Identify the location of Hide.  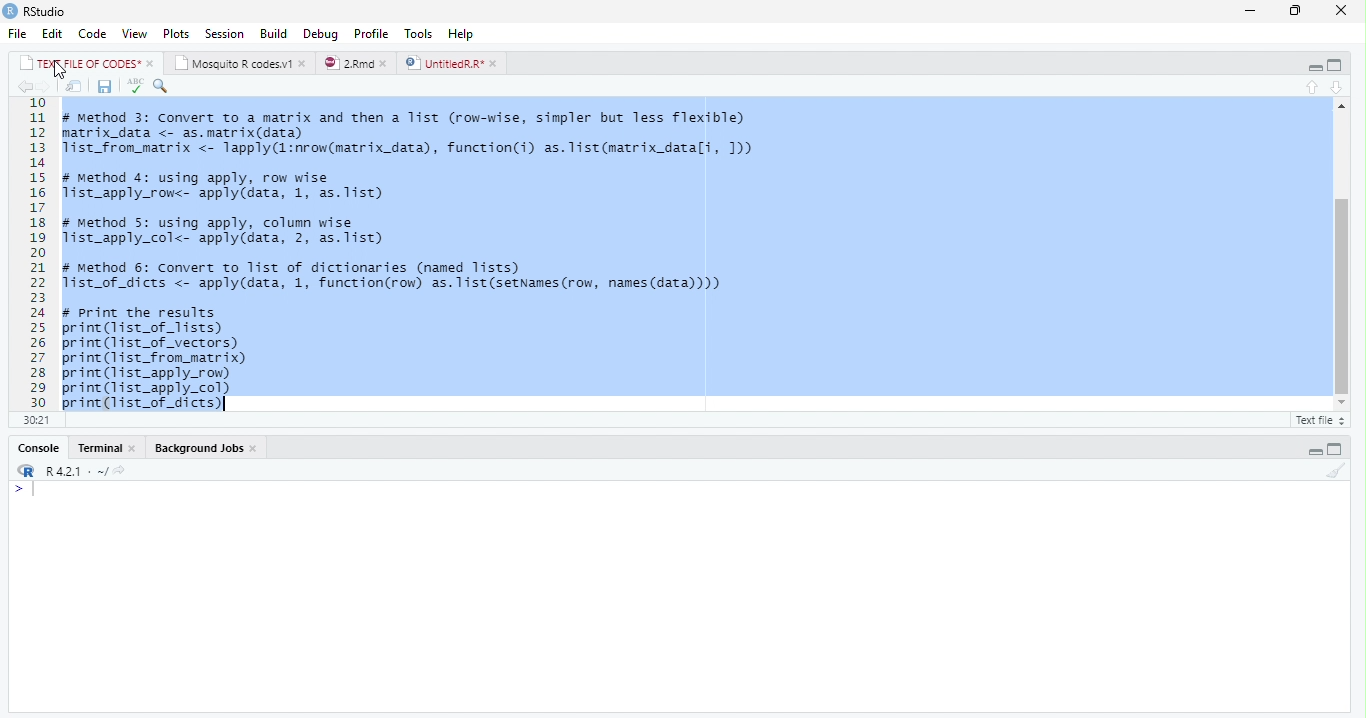
(1313, 449).